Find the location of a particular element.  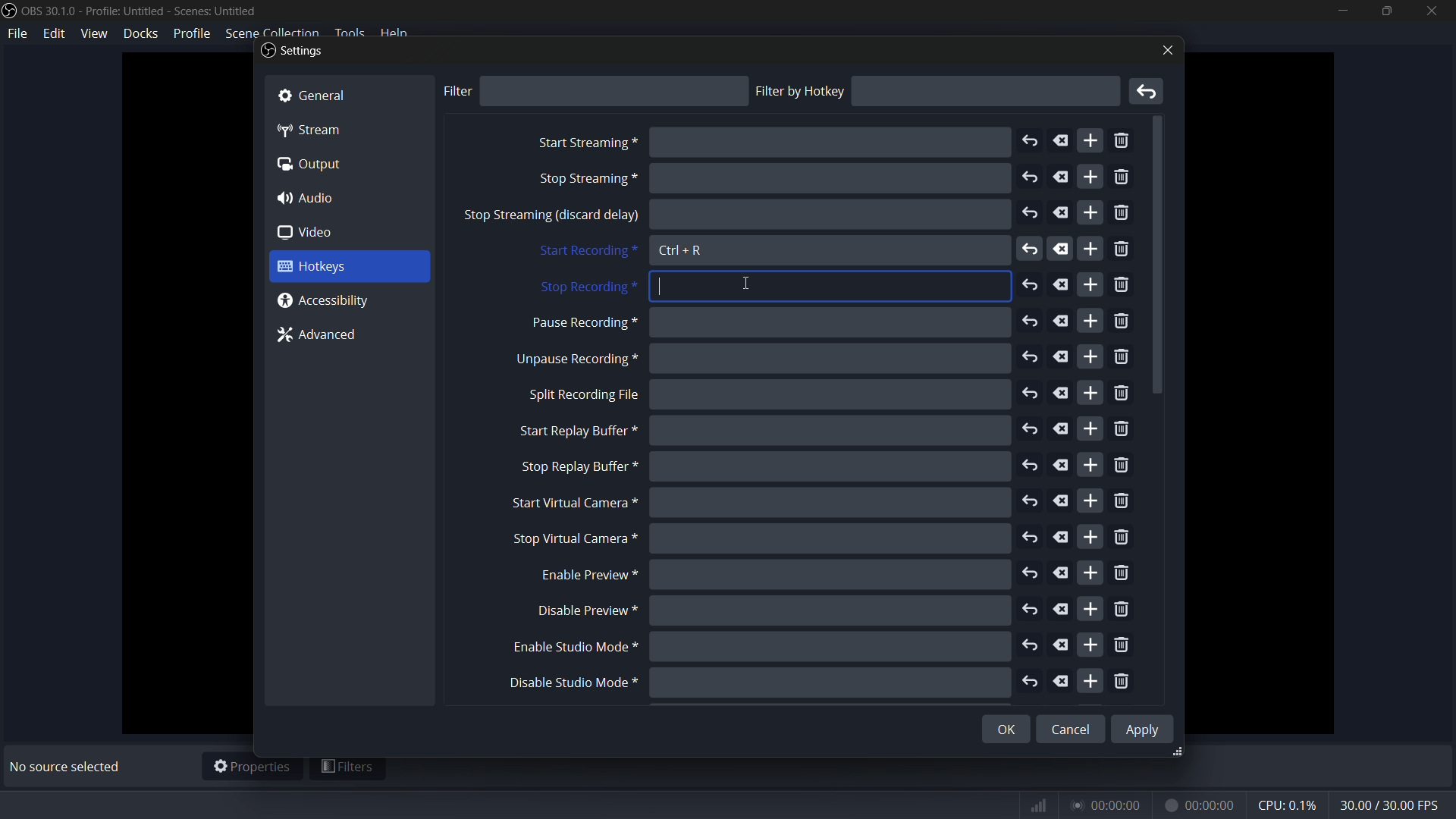

add more is located at coordinates (1090, 322).